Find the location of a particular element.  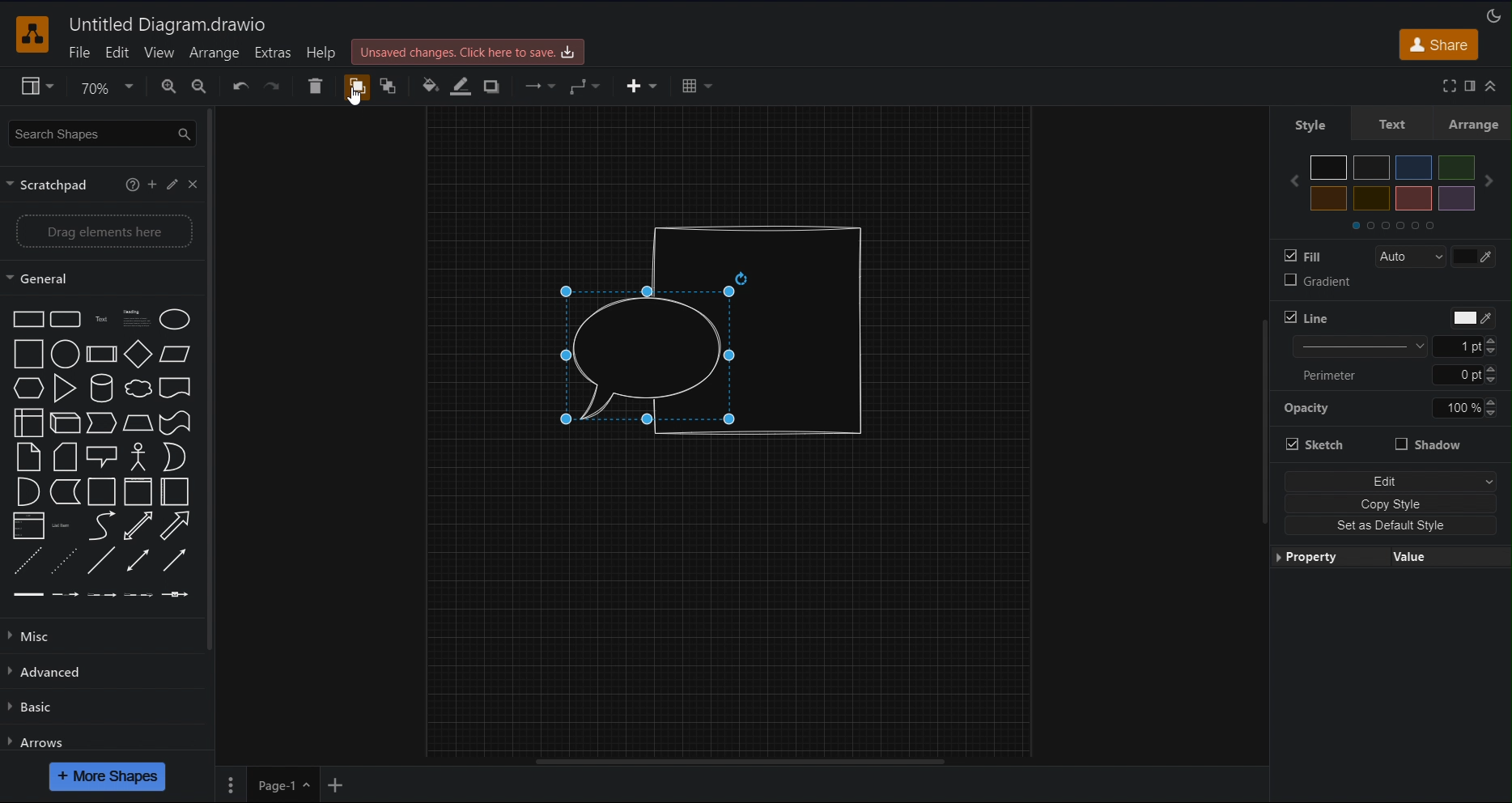

Perimeter is located at coordinates (1329, 376).